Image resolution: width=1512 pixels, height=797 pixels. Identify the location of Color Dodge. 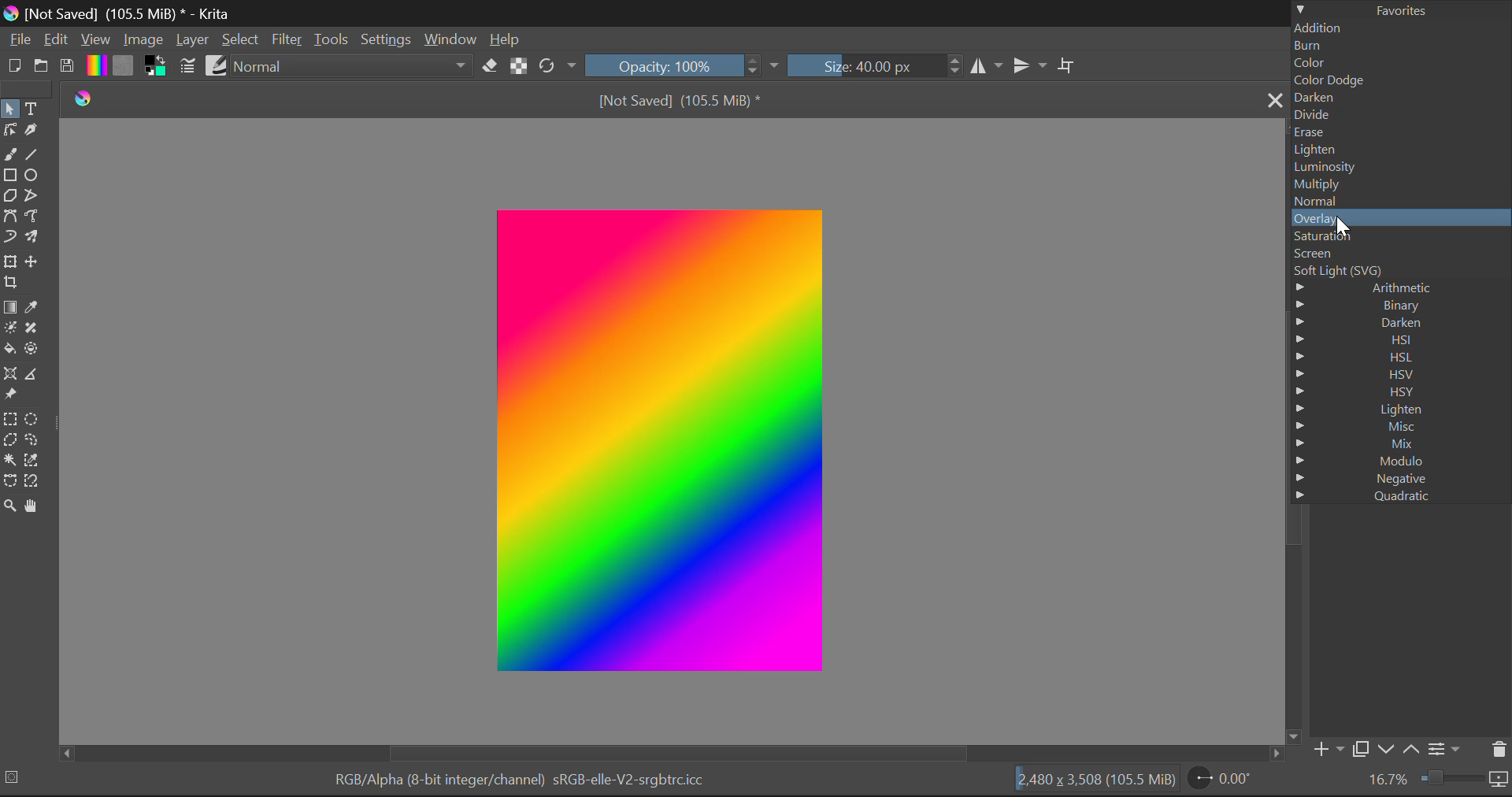
(1399, 80).